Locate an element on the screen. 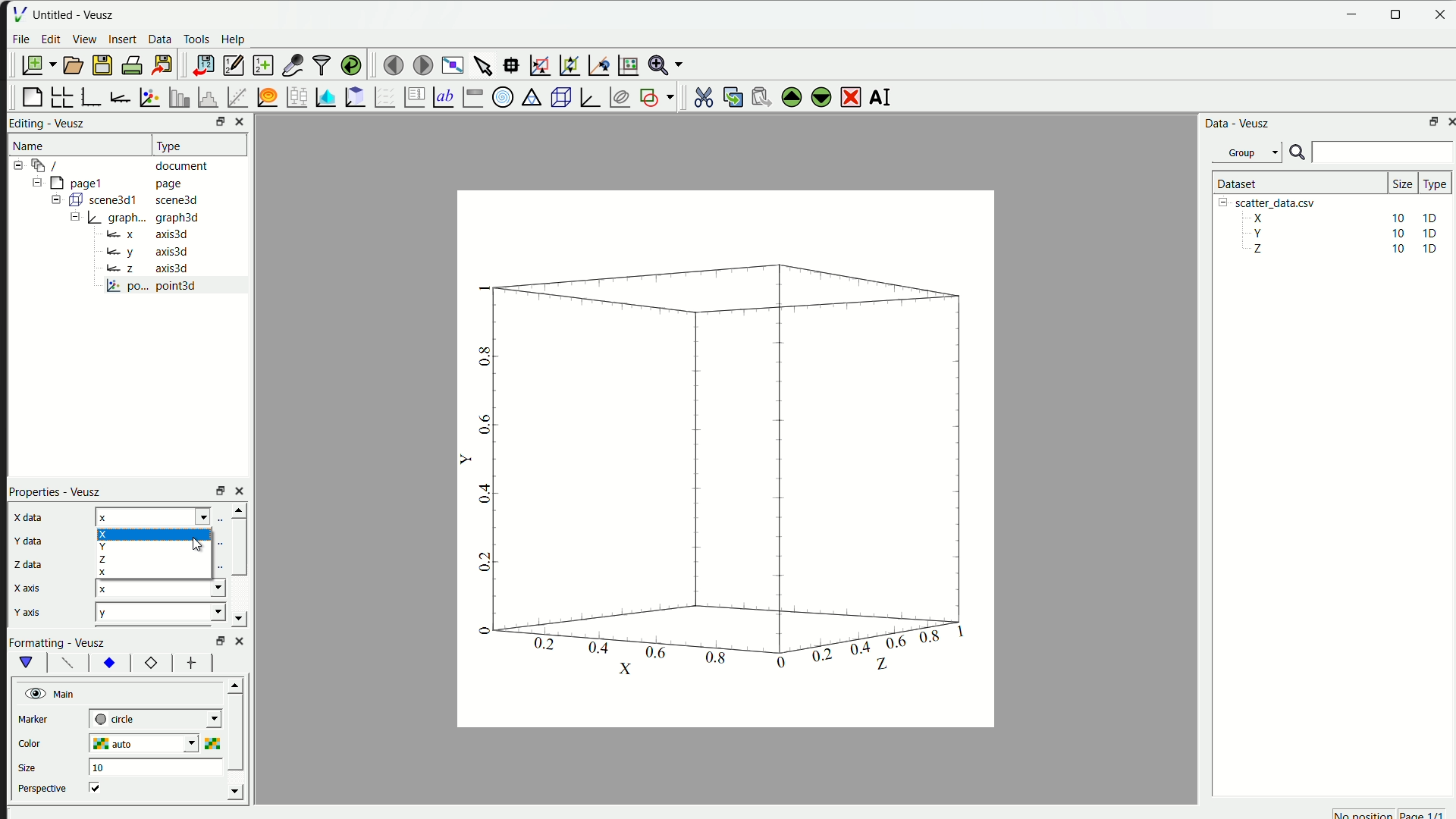  Image color bar is located at coordinates (474, 96).